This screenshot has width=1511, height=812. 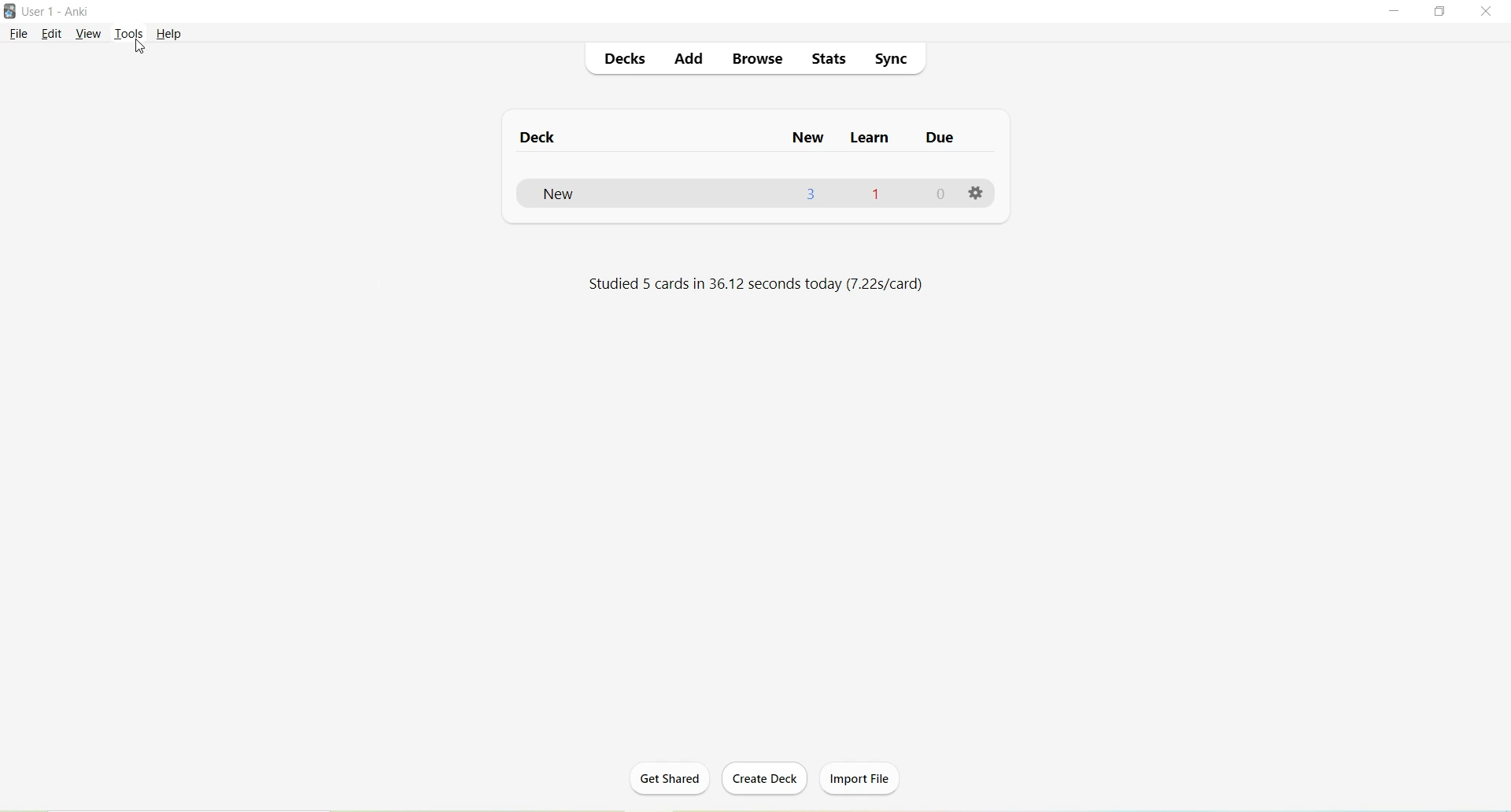 I want to click on Cursor, so click(x=139, y=48).